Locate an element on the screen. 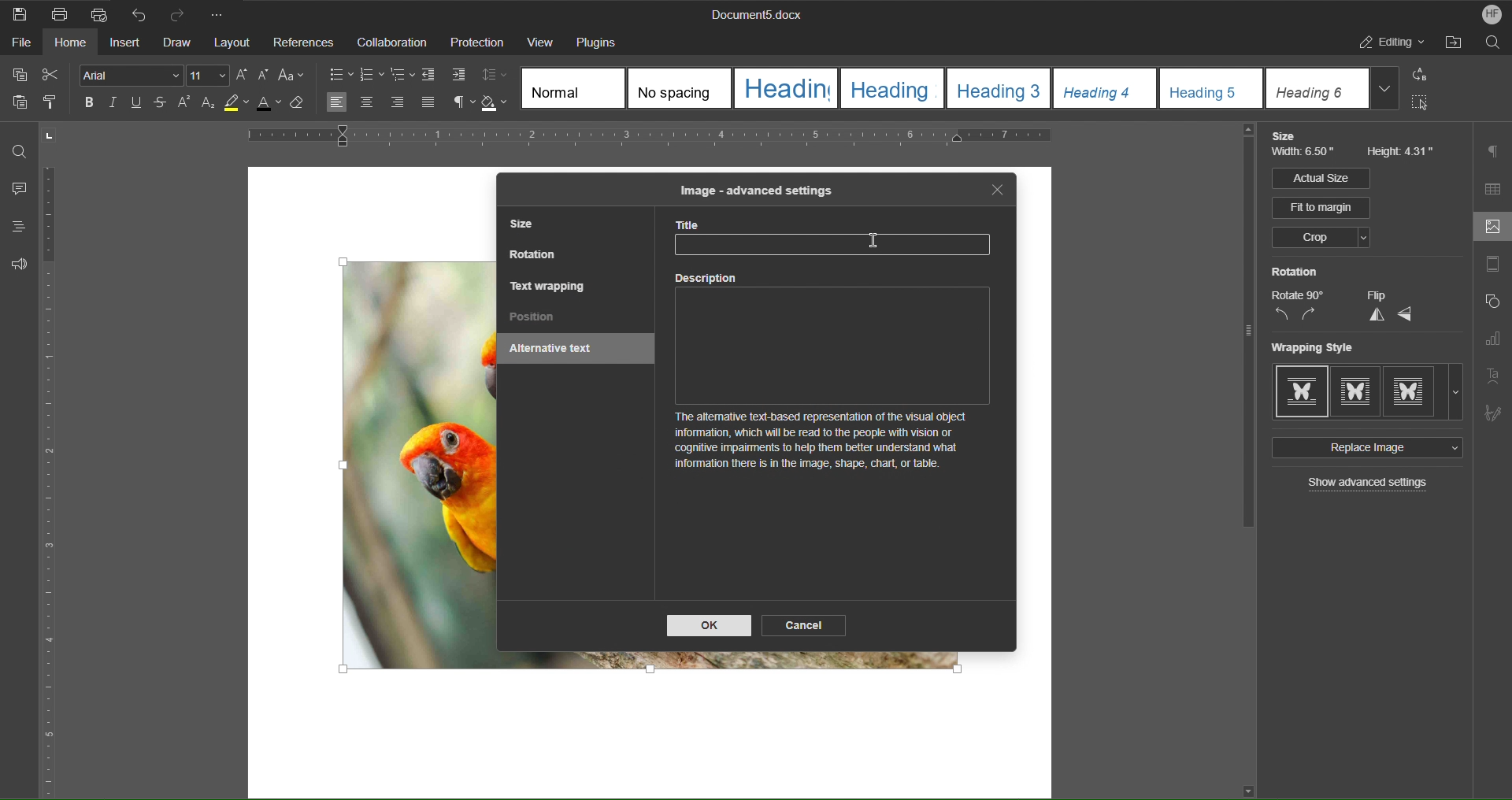 This screenshot has width=1512, height=800. Graph Settings is located at coordinates (1492, 342).